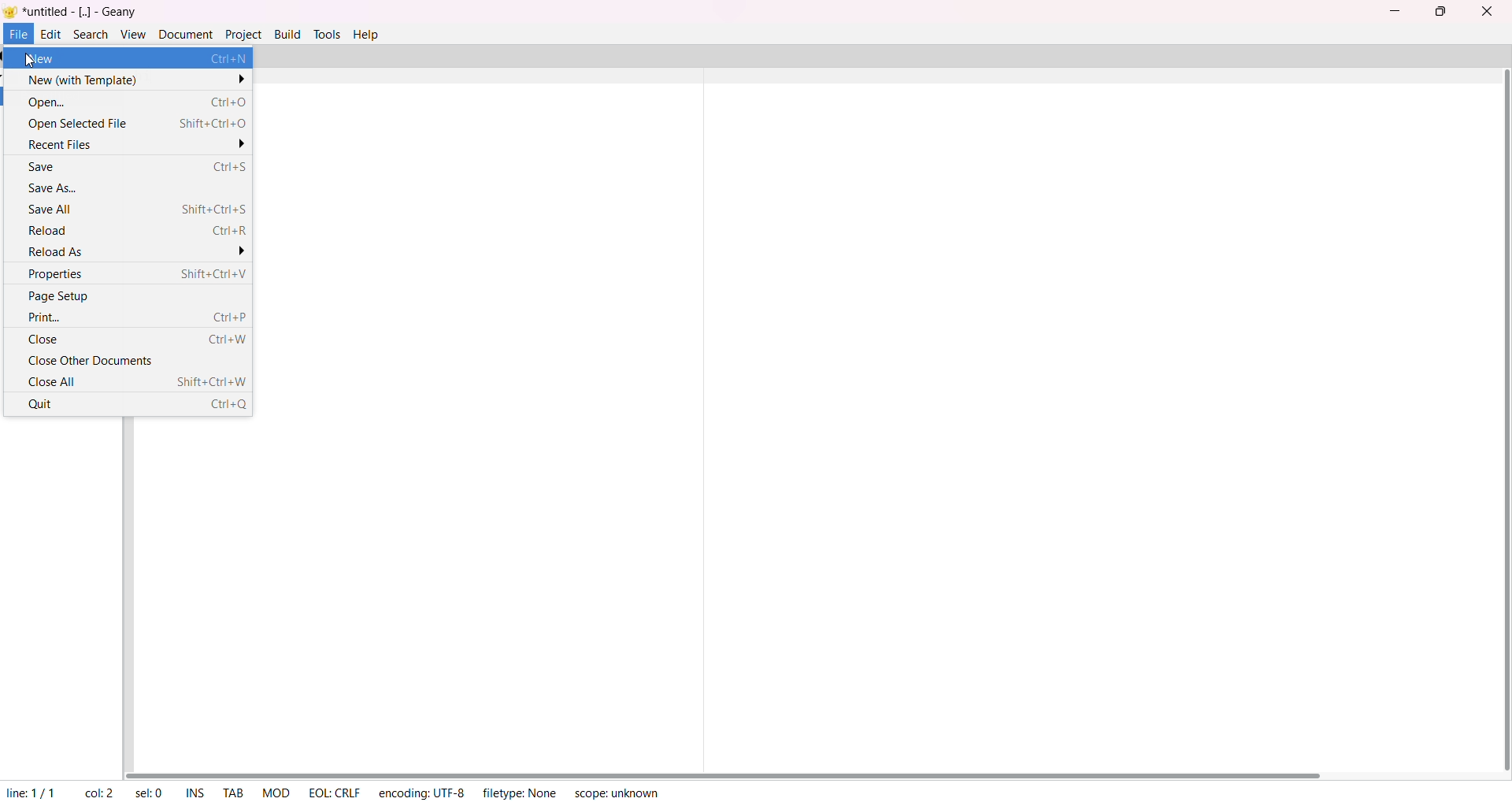 This screenshot has height=802, width=1512. I want to click on close other documents, so click(91, 359).